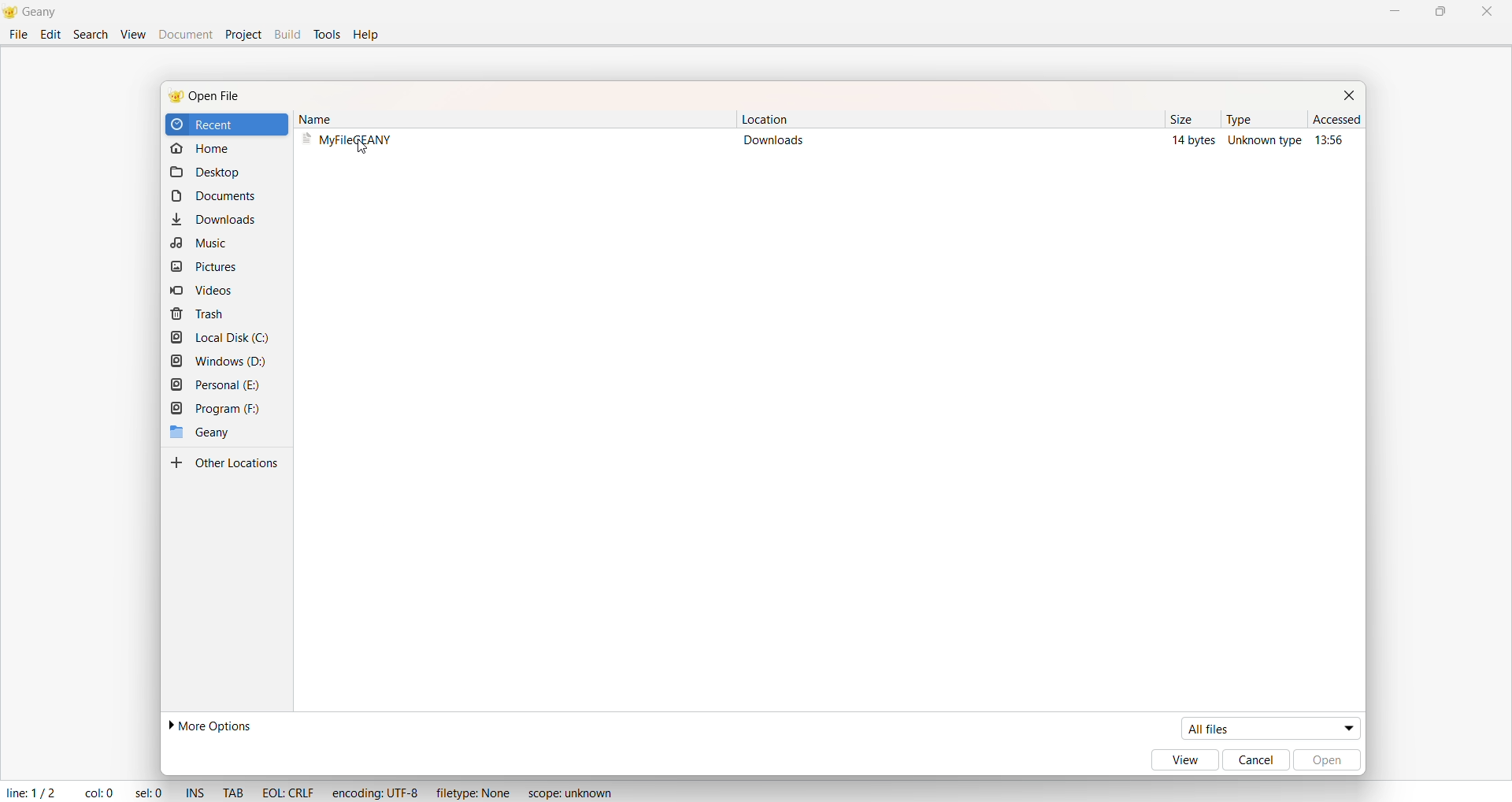 Image resolution: width=1512 pixels, height=802 pixels. Describe the element at coordinates (186, 35) in the screenshot. I see `Document` at that location.